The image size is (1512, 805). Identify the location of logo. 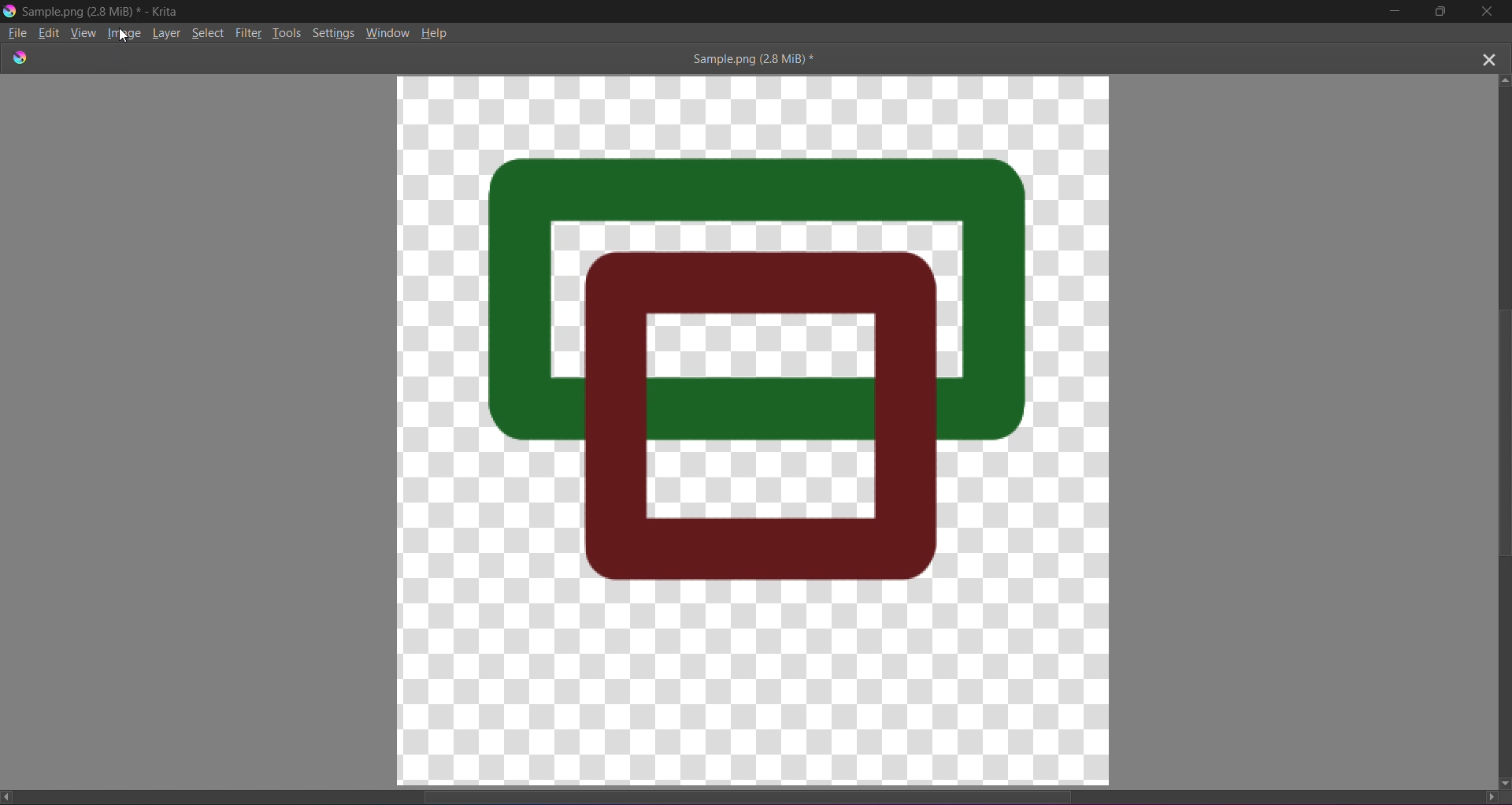
(20, 57).